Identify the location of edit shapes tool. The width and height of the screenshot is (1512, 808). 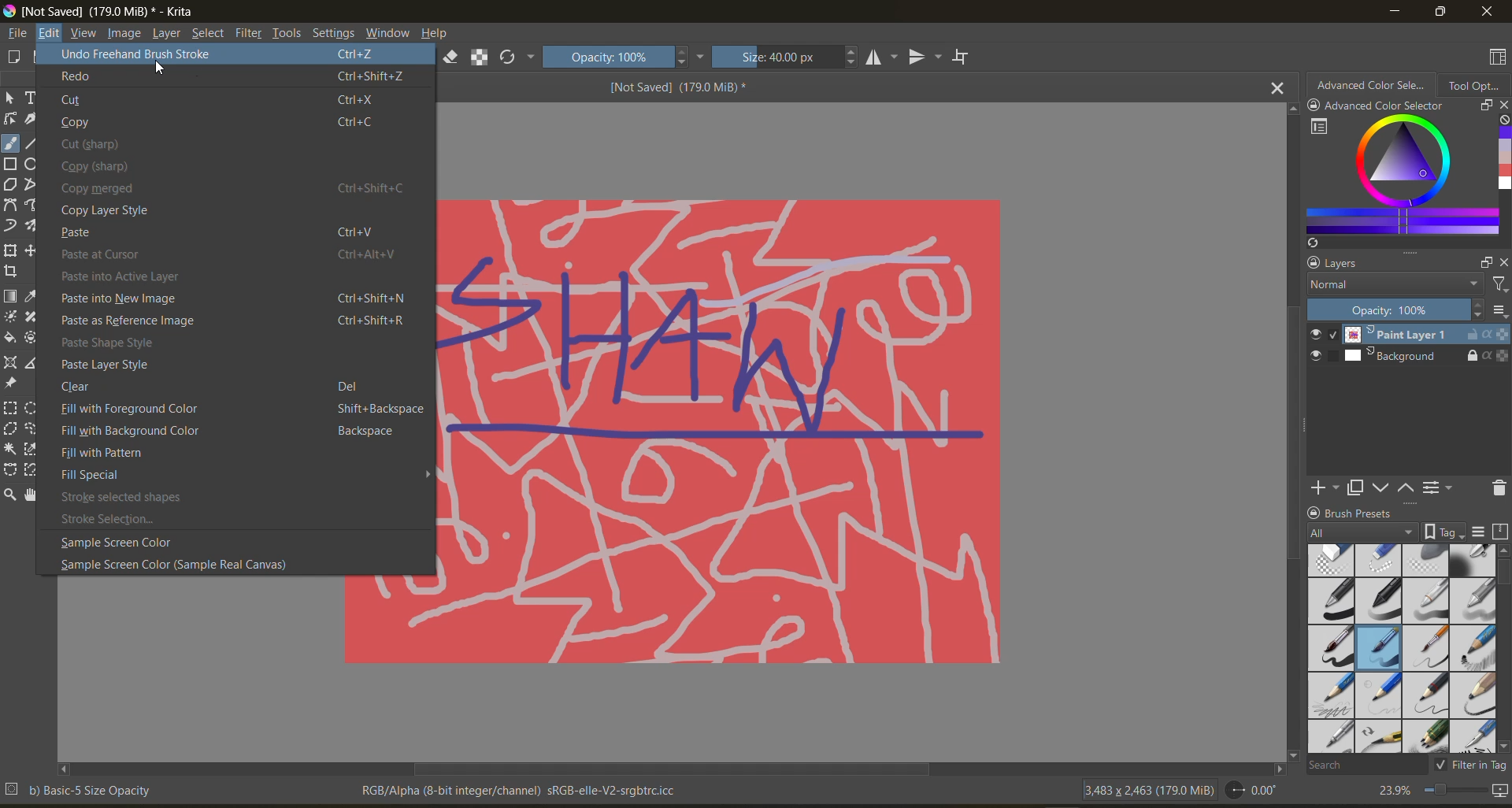
(10, 119).